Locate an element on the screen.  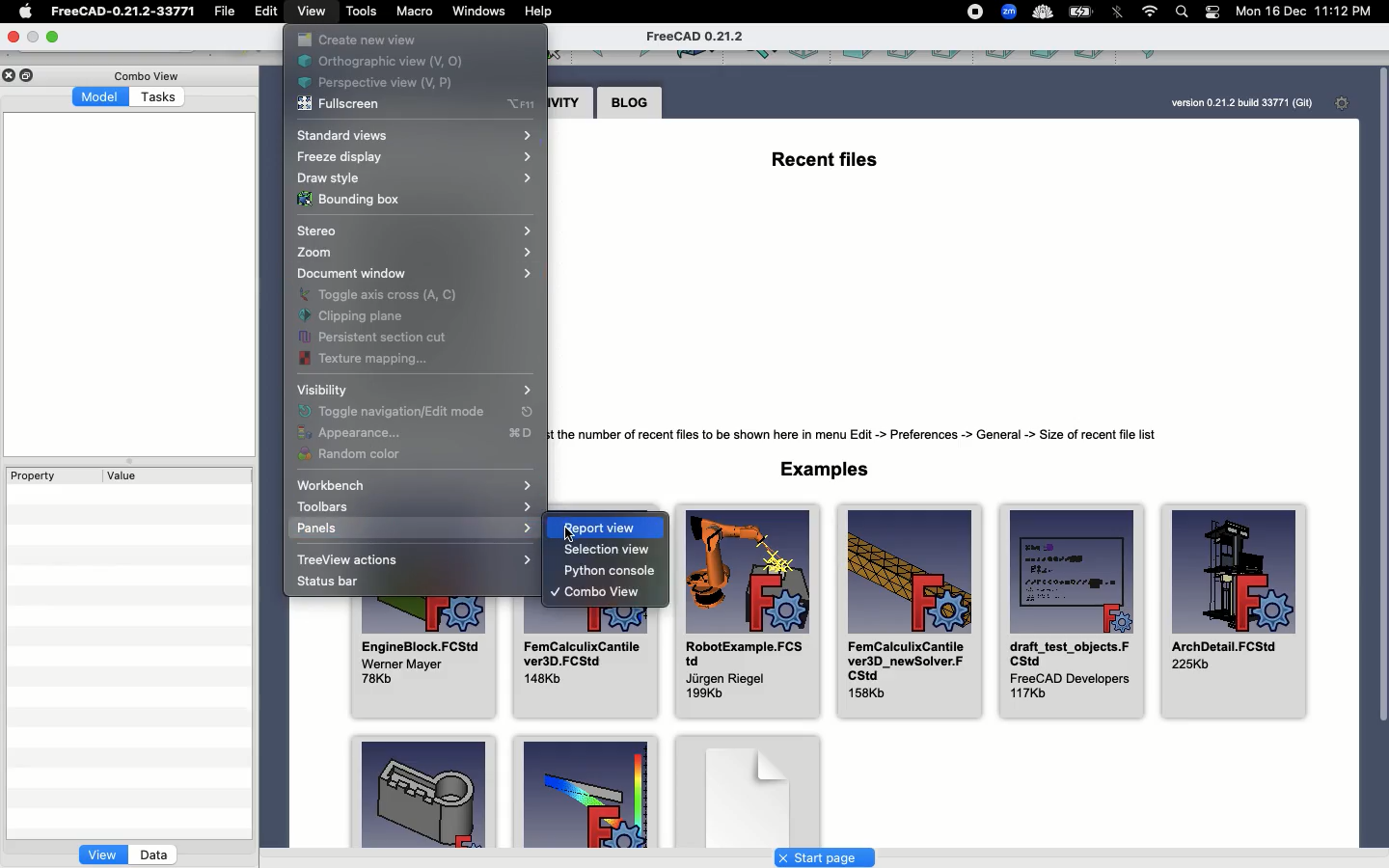
Data is located at coordinates (153, 854).